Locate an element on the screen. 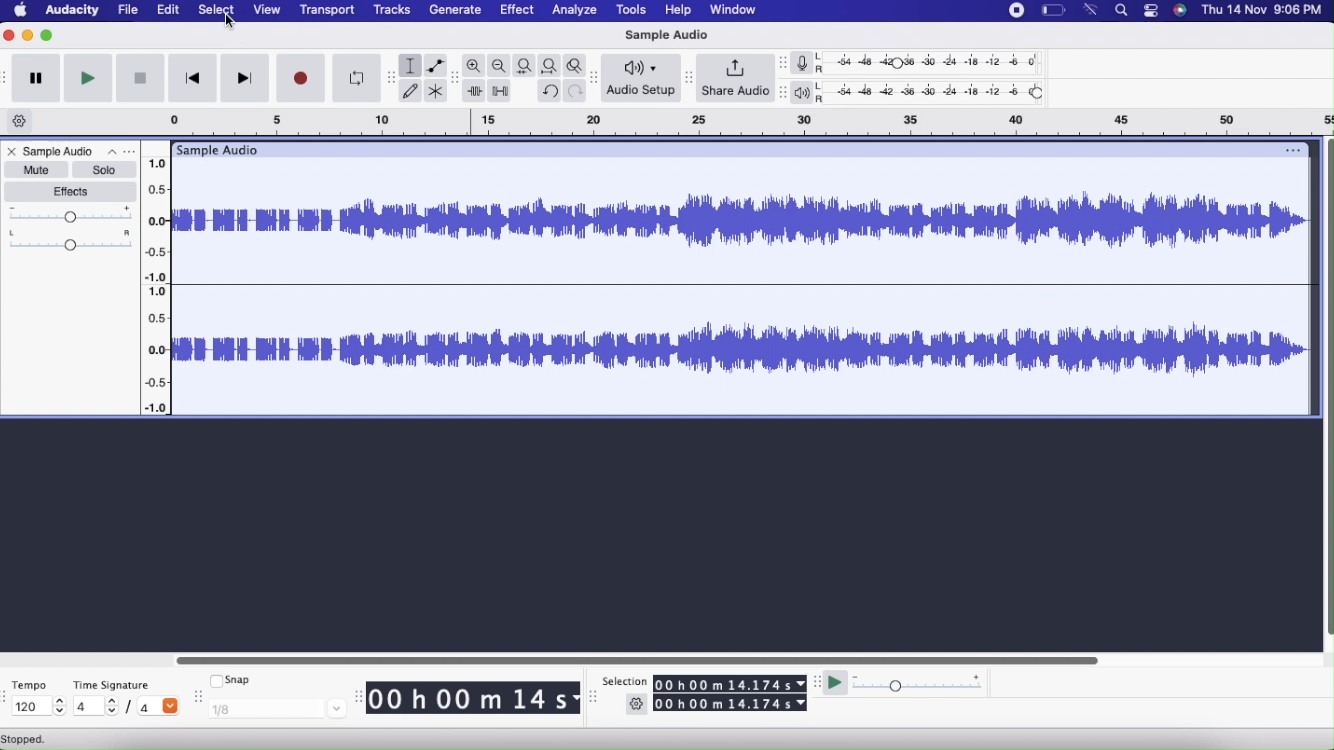  Draw tool is located at coordinates (412, 90).